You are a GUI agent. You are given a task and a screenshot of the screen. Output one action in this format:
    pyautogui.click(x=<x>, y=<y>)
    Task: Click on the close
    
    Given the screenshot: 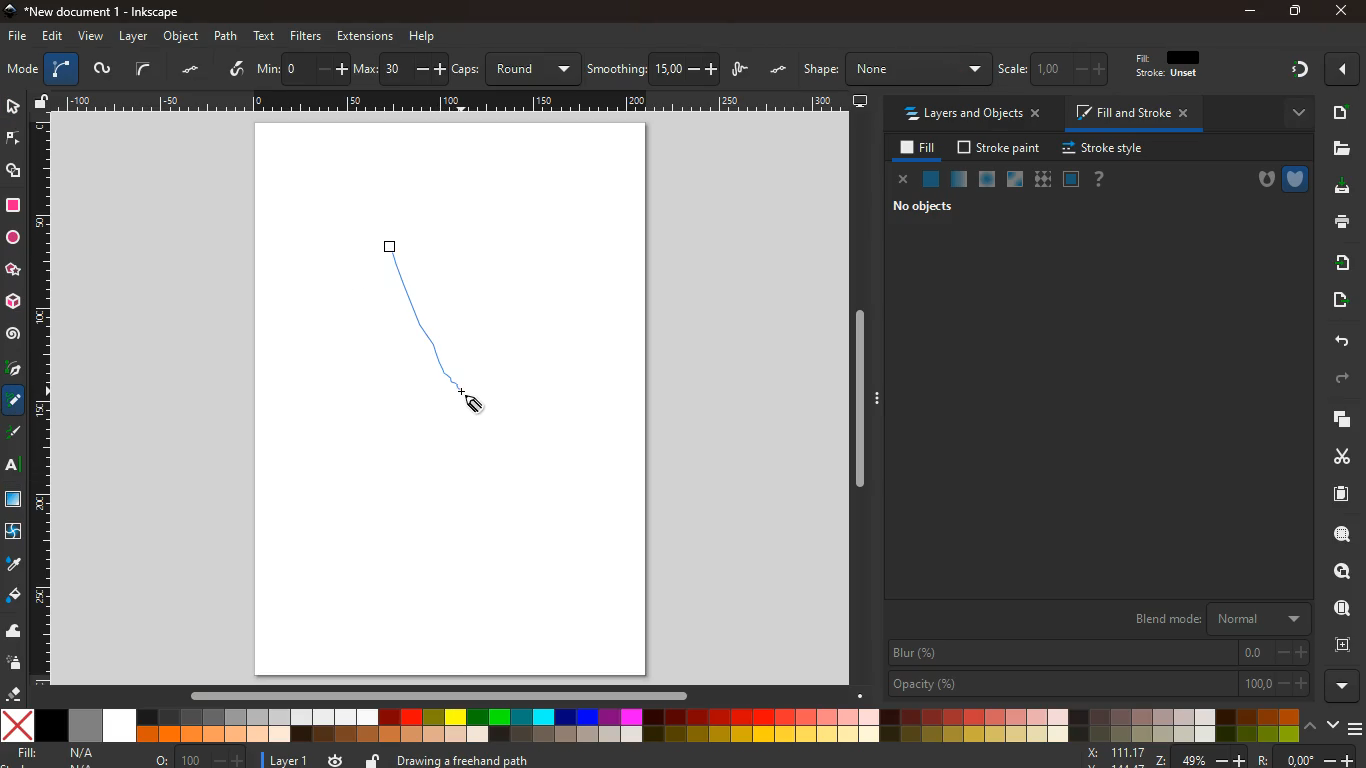 What is the action you would take?
    pyautogui.click(x=904, y=181)
    